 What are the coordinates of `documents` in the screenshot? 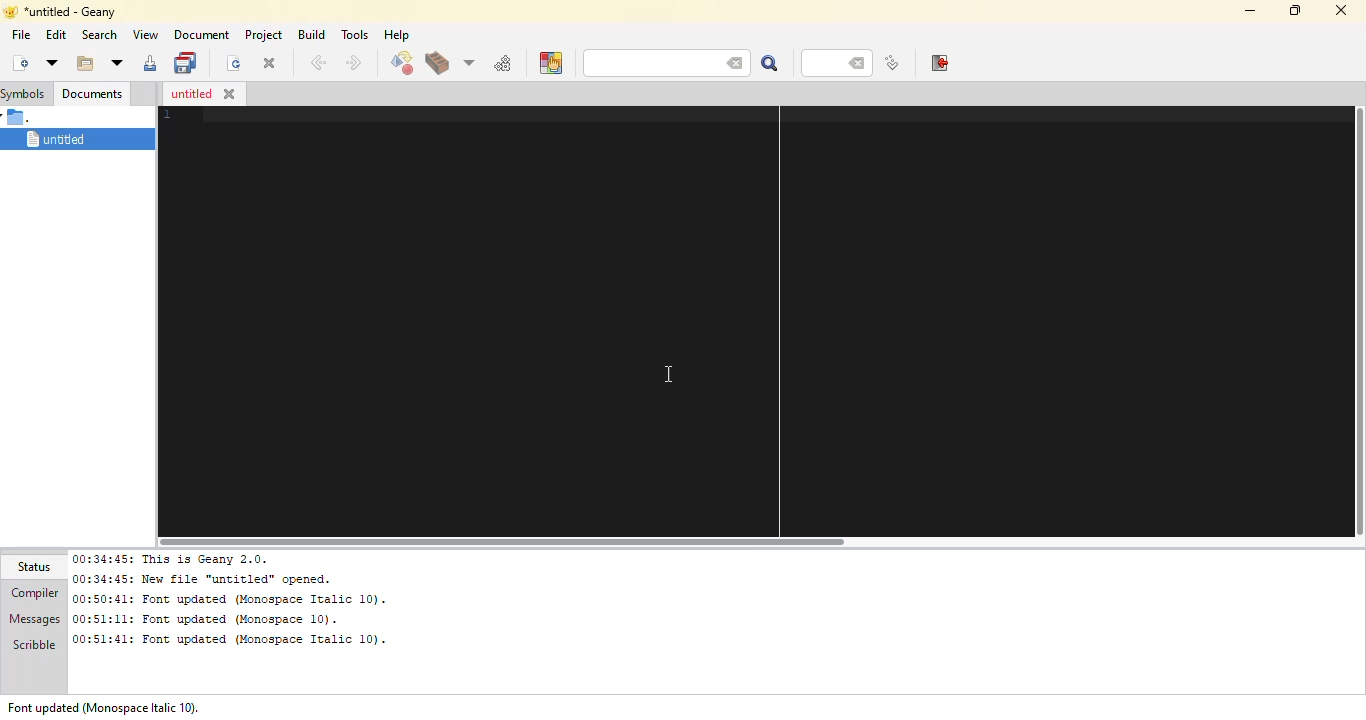 It's located at (91, 92).